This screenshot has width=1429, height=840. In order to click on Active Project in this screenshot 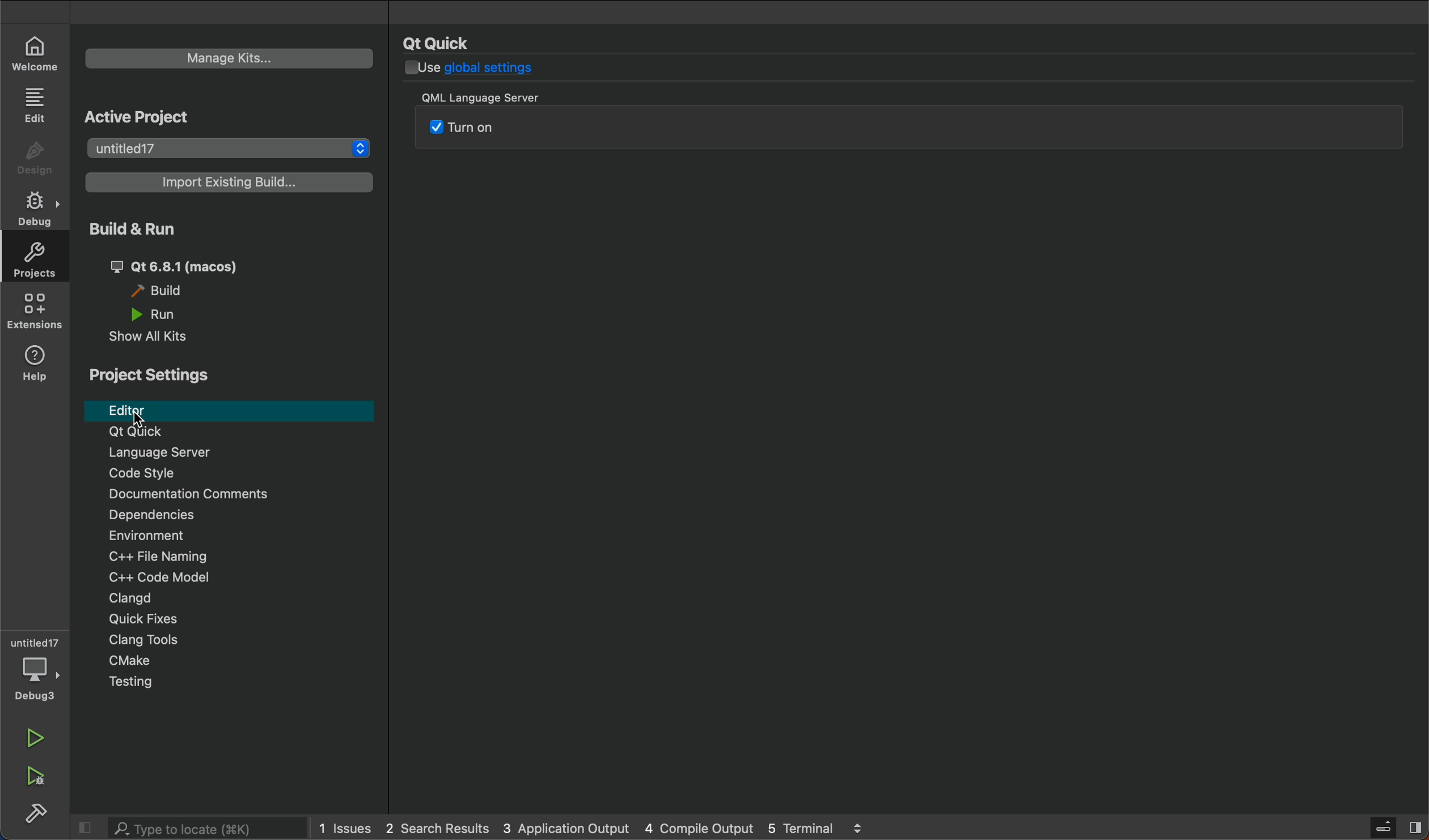, I will do `click(147, 116)`.